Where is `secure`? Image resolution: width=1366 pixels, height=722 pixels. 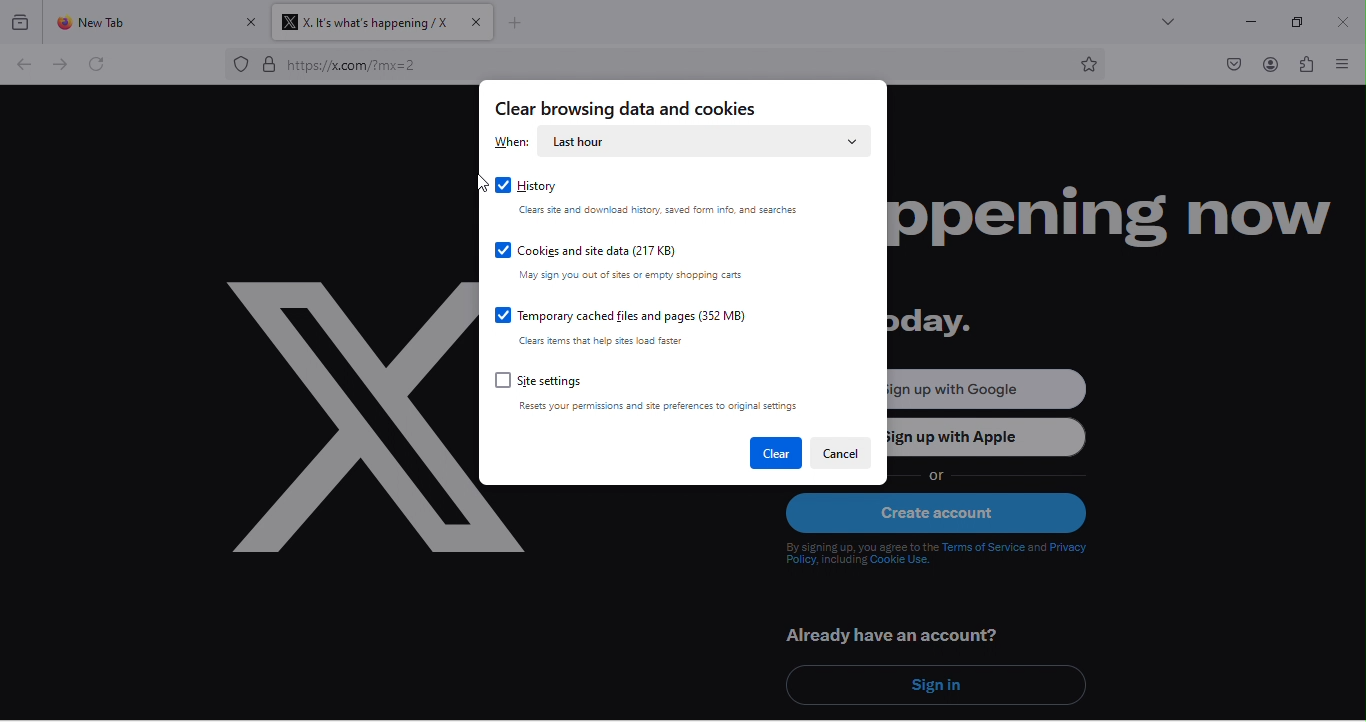
secure is located at coordinates (268, 67).